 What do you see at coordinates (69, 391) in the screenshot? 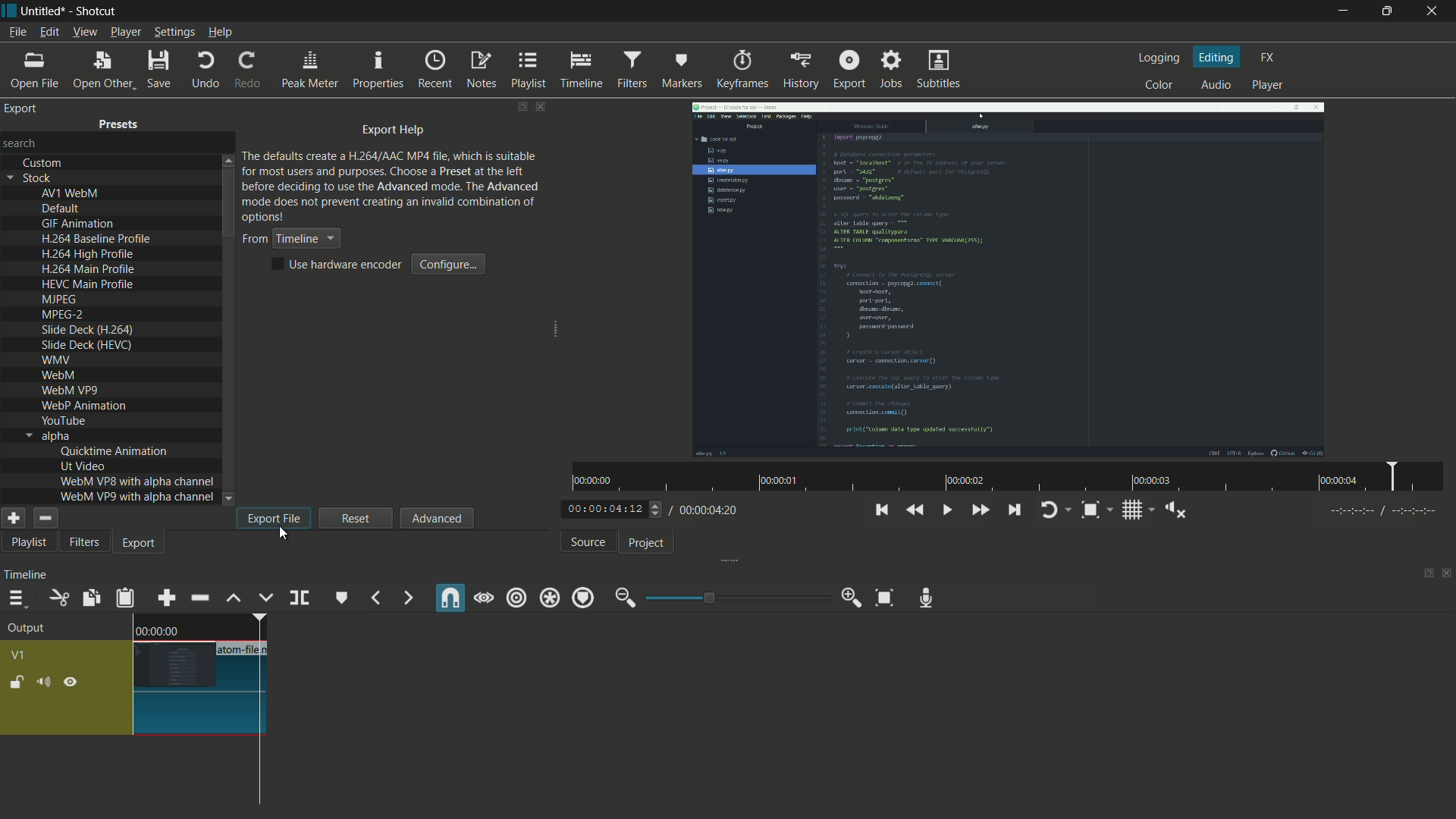
I see `webm vp9` at bounding box center [69, 391].